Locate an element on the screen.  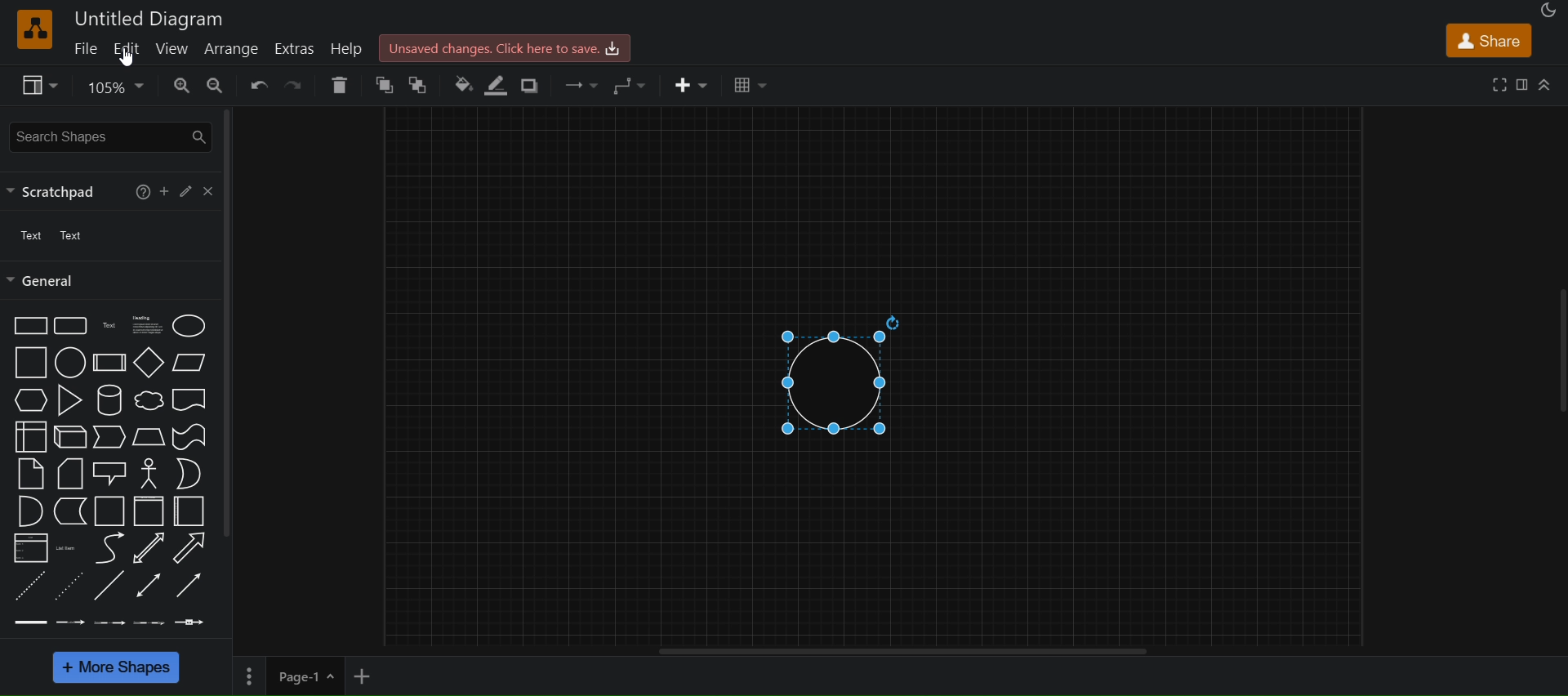
format is located at coordinates (1521, 83).